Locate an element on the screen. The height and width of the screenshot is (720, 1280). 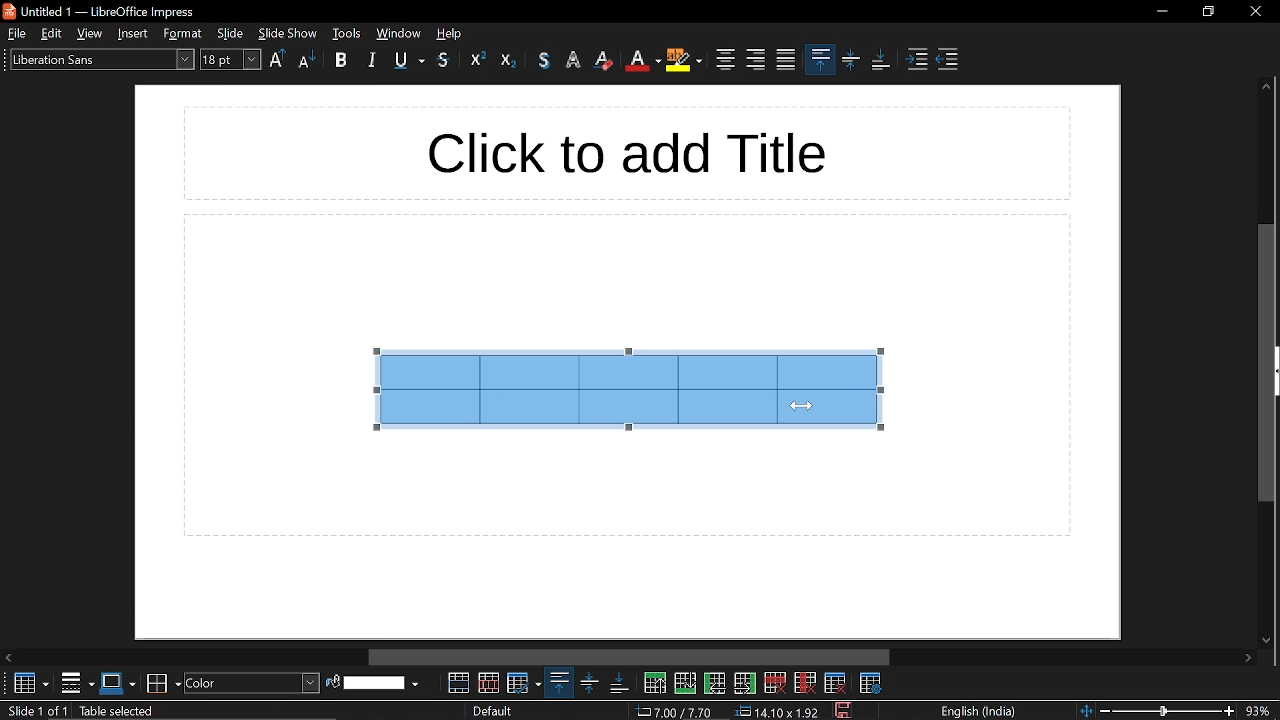
slide 1 of 1 is located at coordinates (34, 712).